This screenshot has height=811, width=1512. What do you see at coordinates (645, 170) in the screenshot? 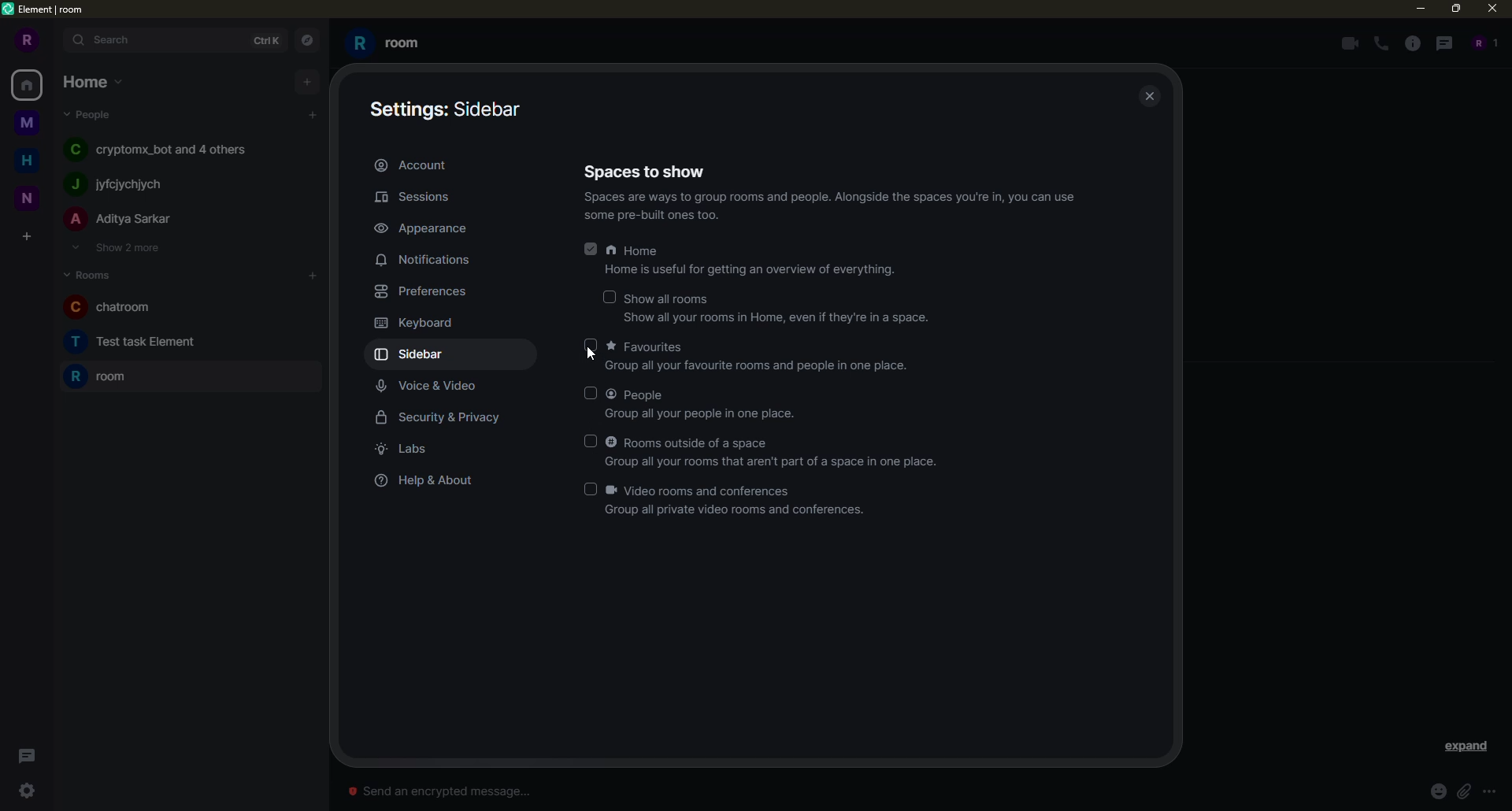
I see `spaces to show` at bounding box center [645, 170].